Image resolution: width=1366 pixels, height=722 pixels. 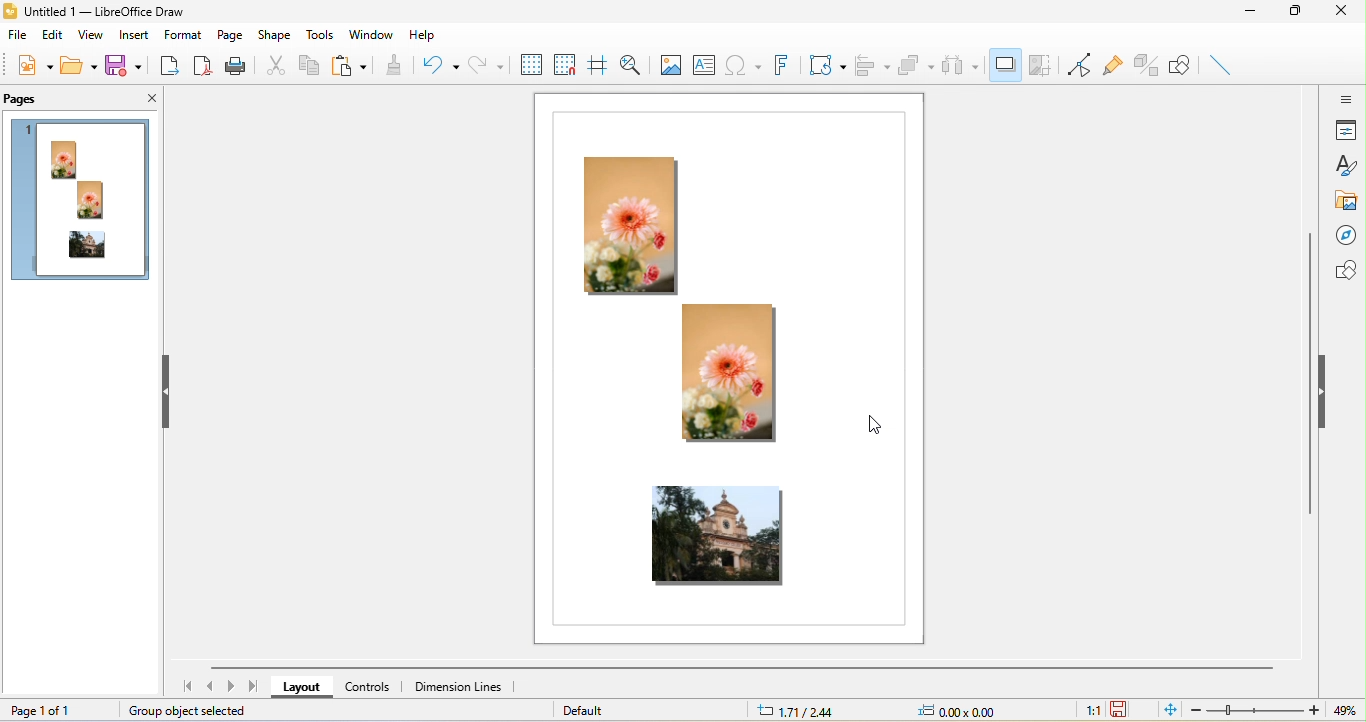 I want to click on toggle extrusion, so click(x=1149, y=63).